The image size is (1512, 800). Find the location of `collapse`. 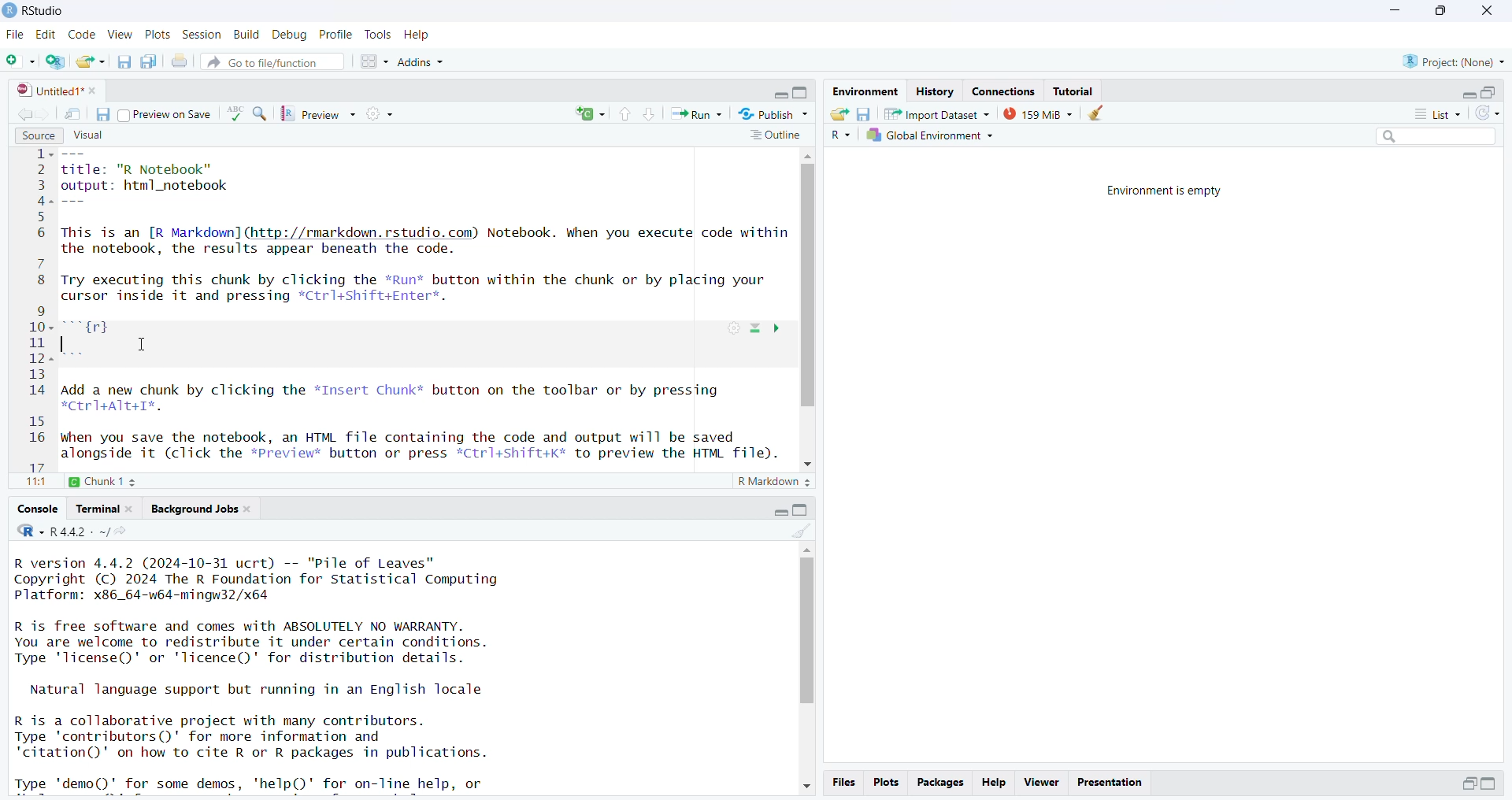

collapse is located at coordinates (1492, 92).